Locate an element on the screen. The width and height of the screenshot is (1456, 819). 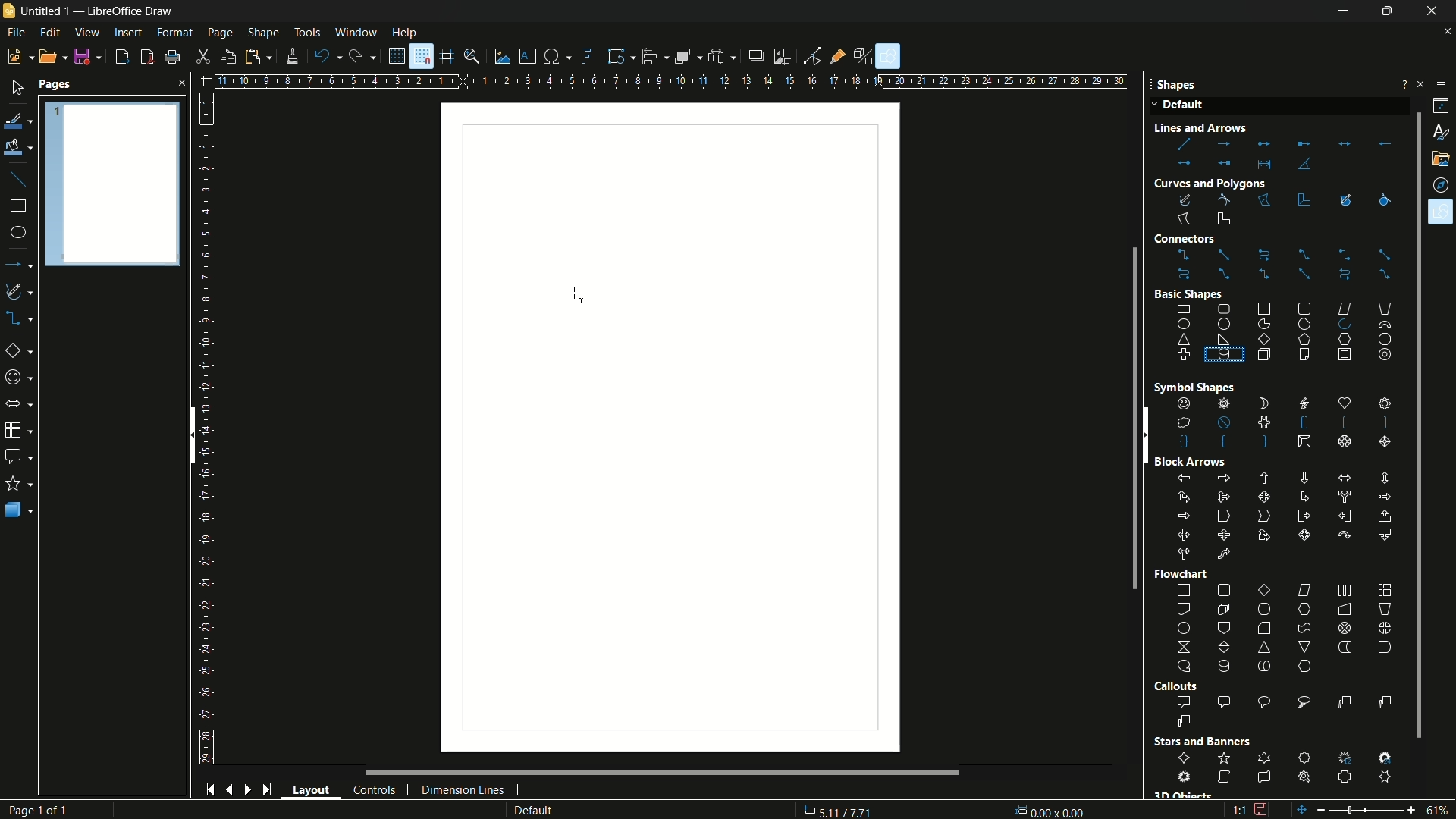
toggle point edit mode is located at coordinates (813, 56).